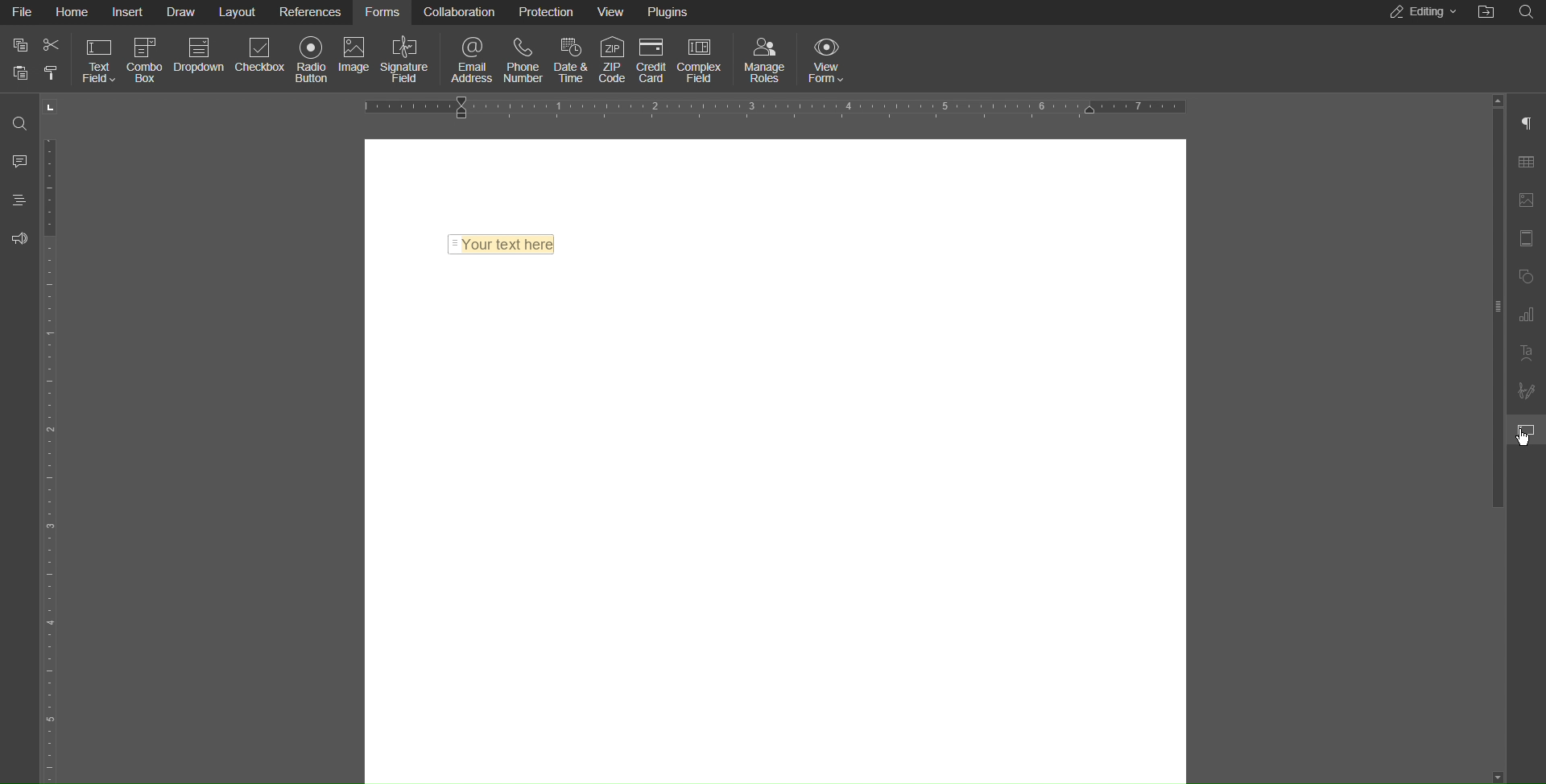  What do you see at coordinates (20, 12) in the screenshot?
I see `File` at bounding box center [20, 12].